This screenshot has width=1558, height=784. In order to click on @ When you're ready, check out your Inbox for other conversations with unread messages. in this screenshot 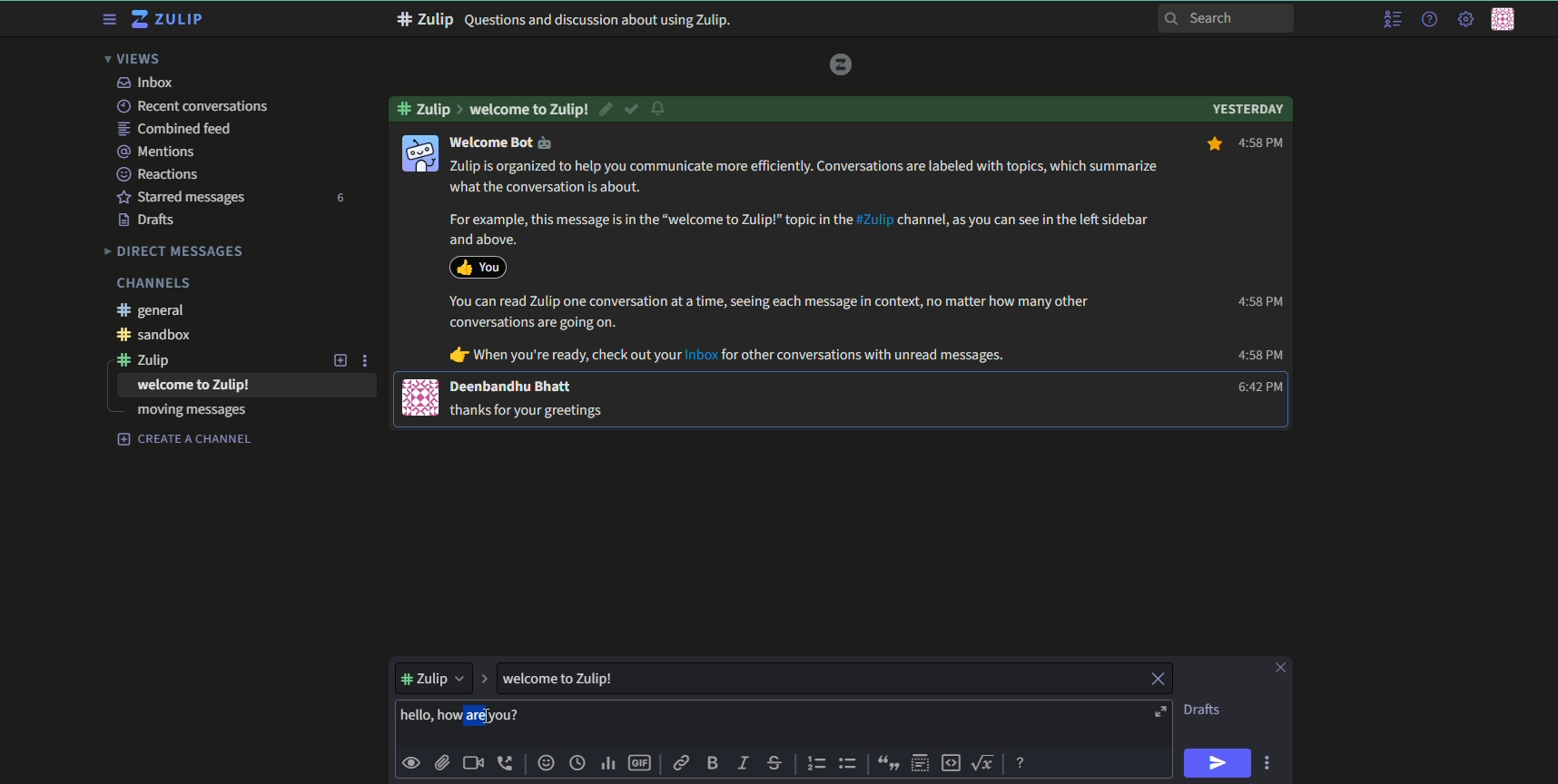, I will do `click(728, 356)`.